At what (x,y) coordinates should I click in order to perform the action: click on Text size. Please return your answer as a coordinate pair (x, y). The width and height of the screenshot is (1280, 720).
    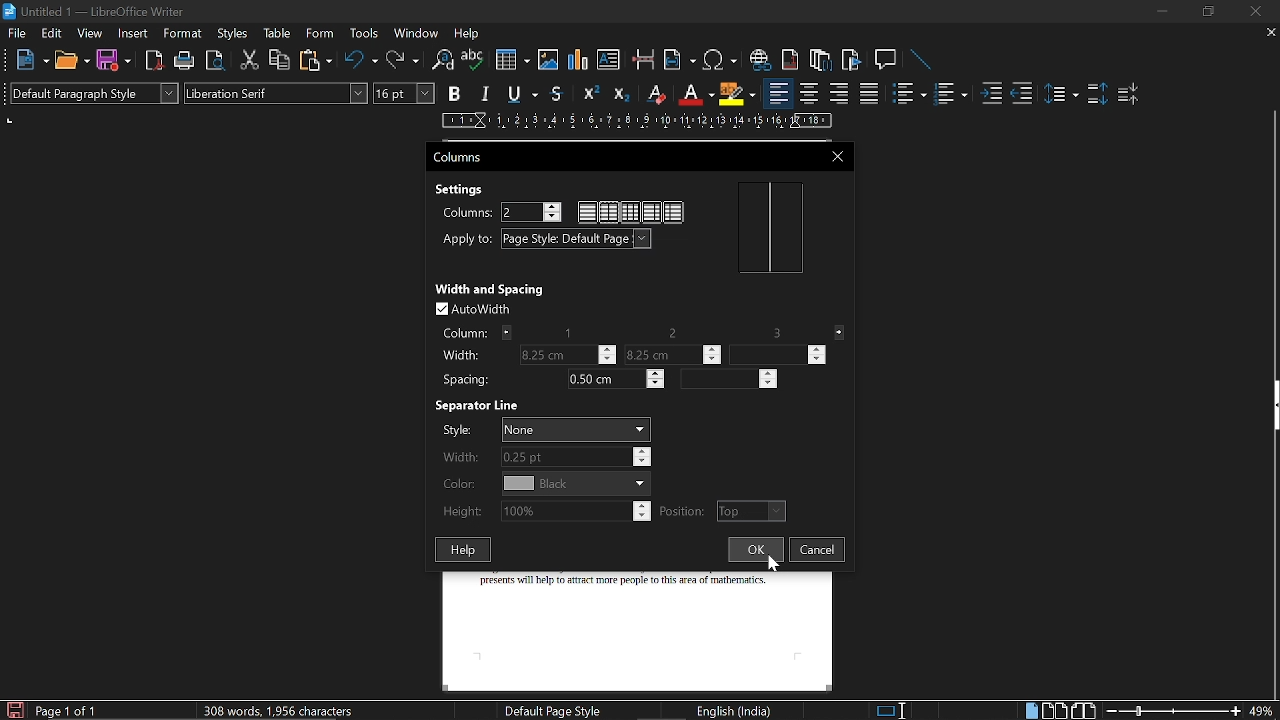
    Looking at the image, I should click on (403, 93).